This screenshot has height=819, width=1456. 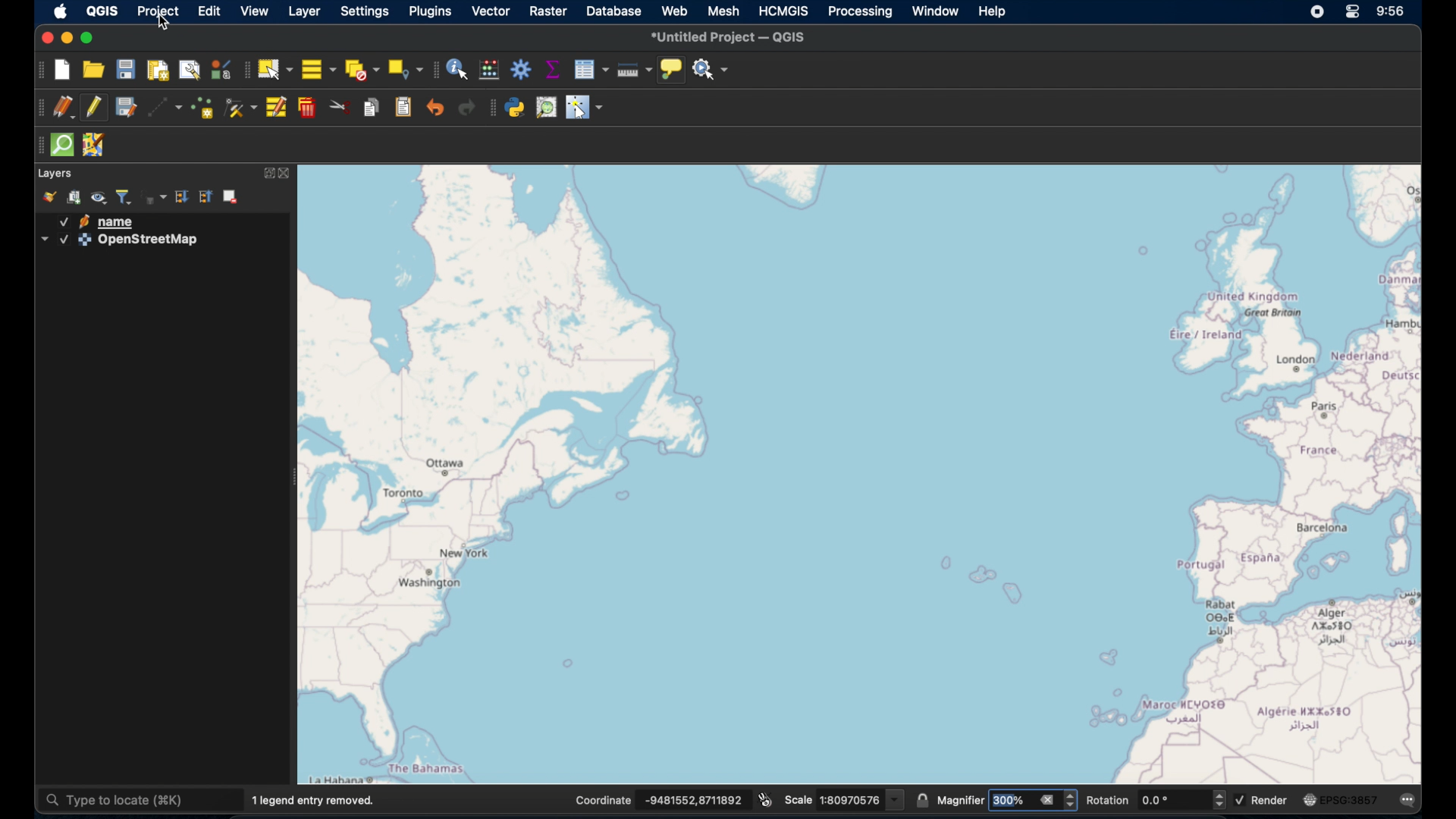 I want to click on digitizing toolbar, so click(x=39, y=110).